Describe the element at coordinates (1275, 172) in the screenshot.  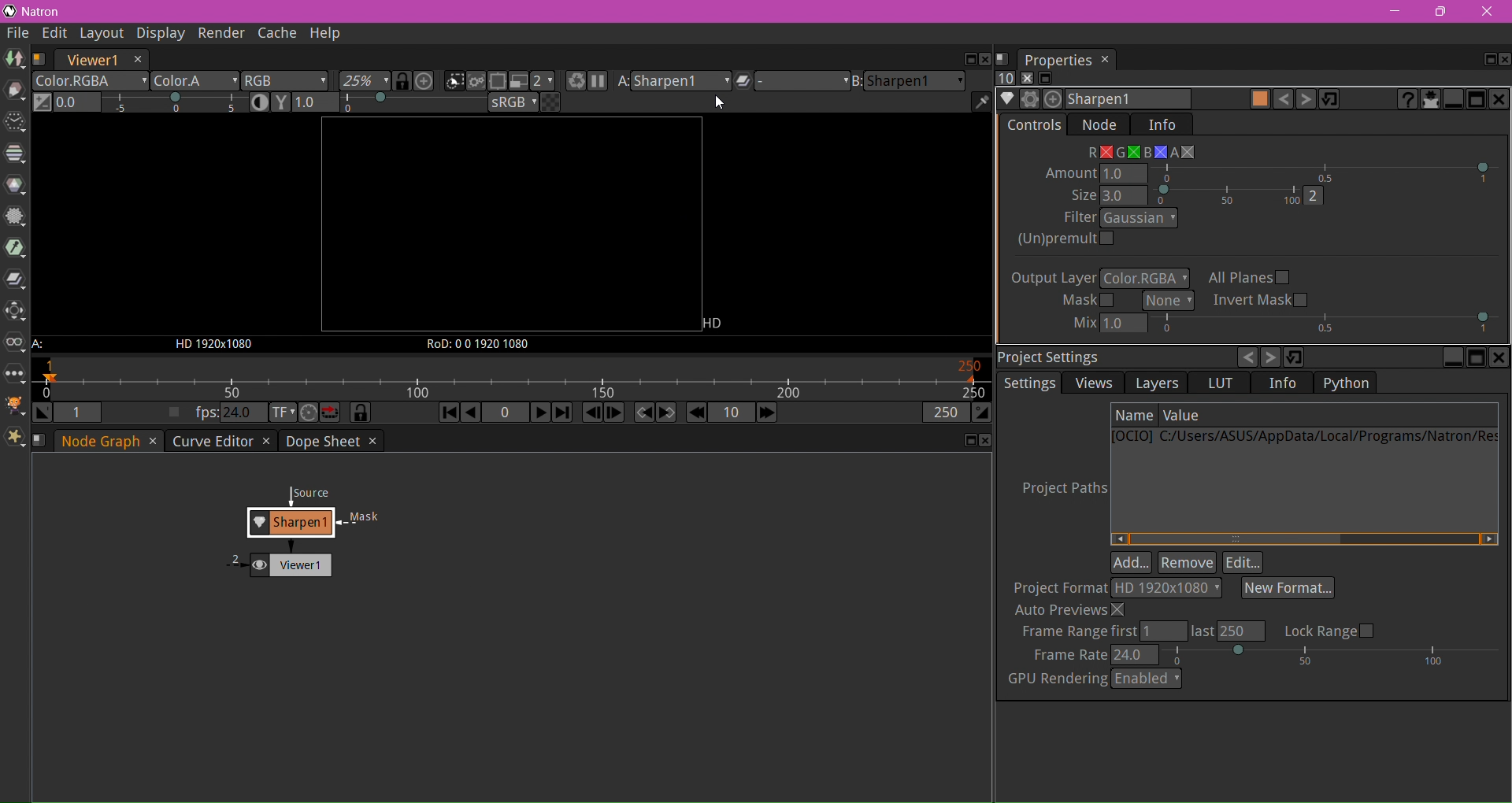
I see `Amount of sharpening to apply` at that location.